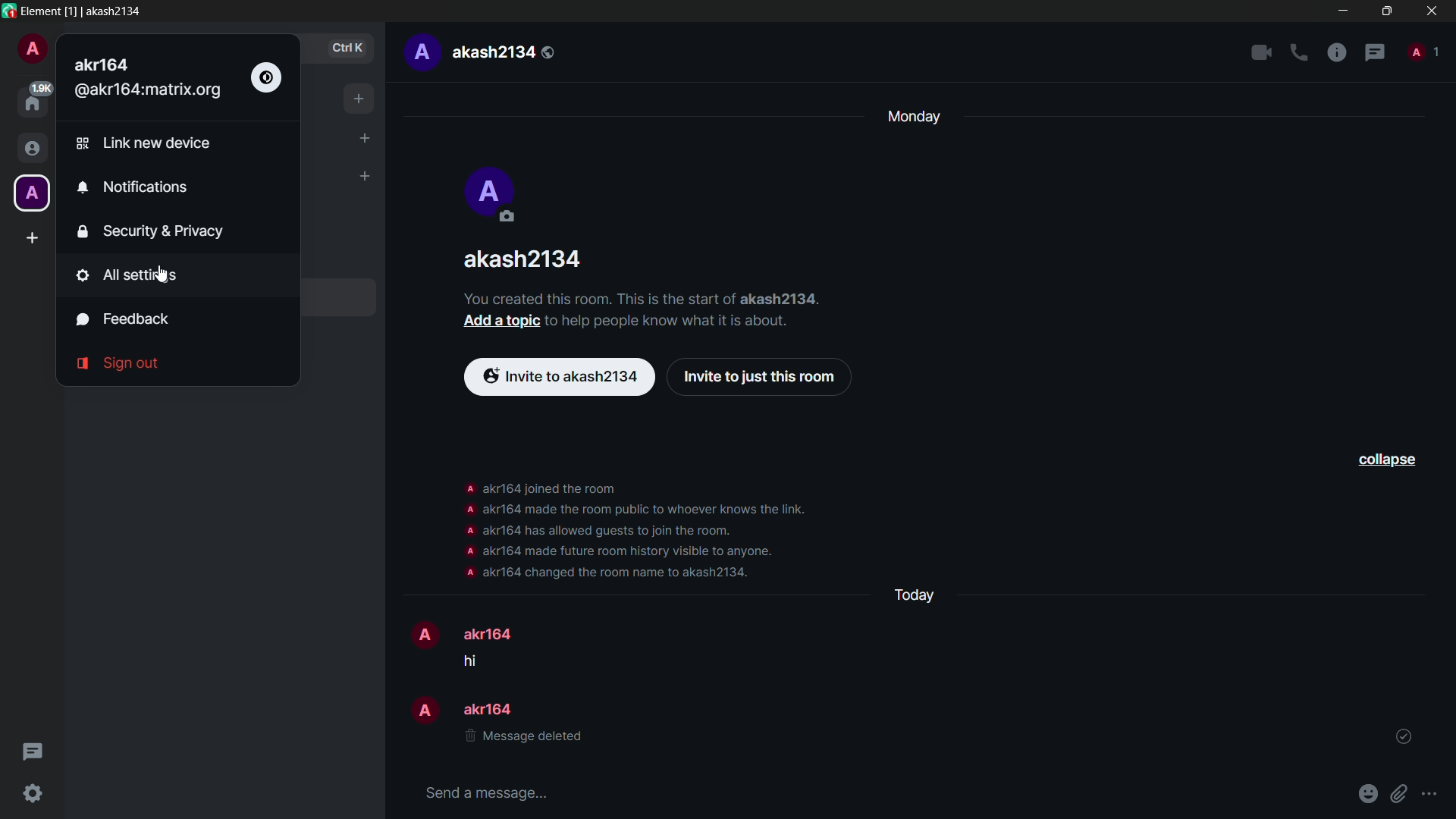 The image size is (1456, 819). Describe the element at coordinates (912, 595) in the screenshot. I see `day` at that location.